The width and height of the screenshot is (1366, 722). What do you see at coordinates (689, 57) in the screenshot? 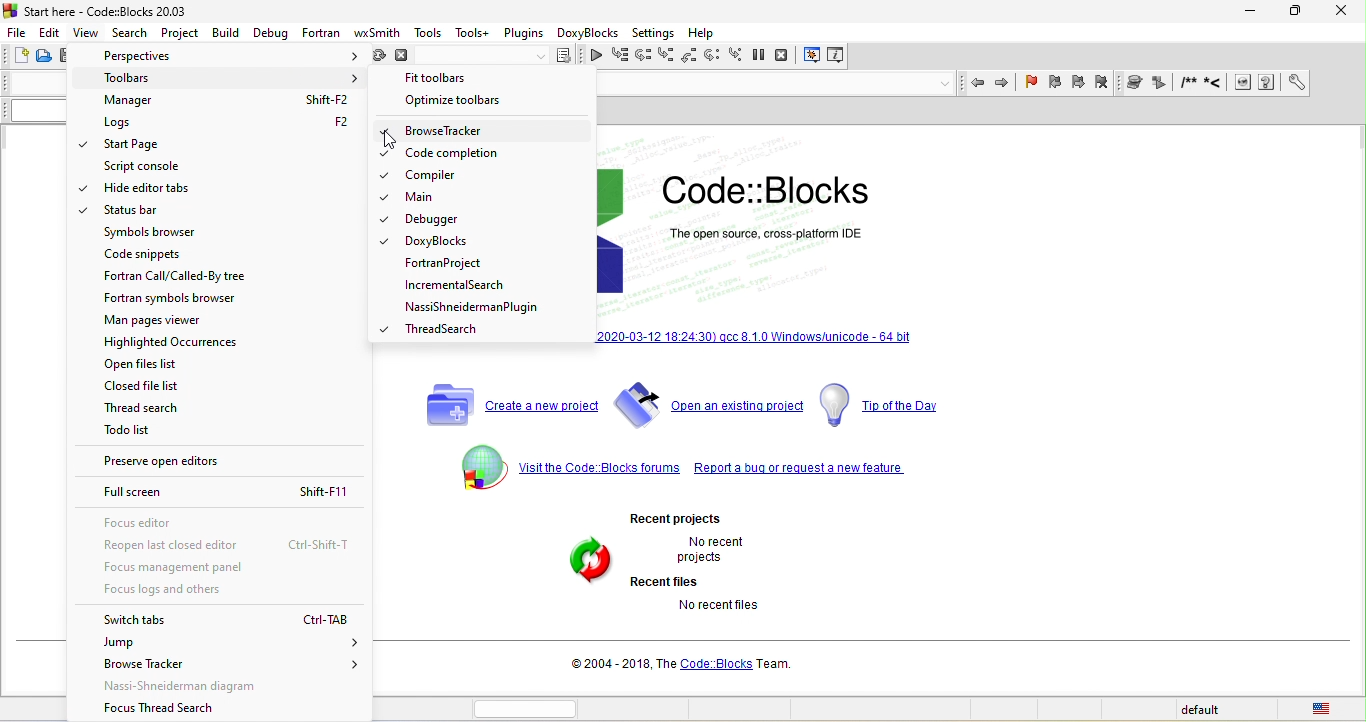
I see `step out` at bounding box center [689, 57].